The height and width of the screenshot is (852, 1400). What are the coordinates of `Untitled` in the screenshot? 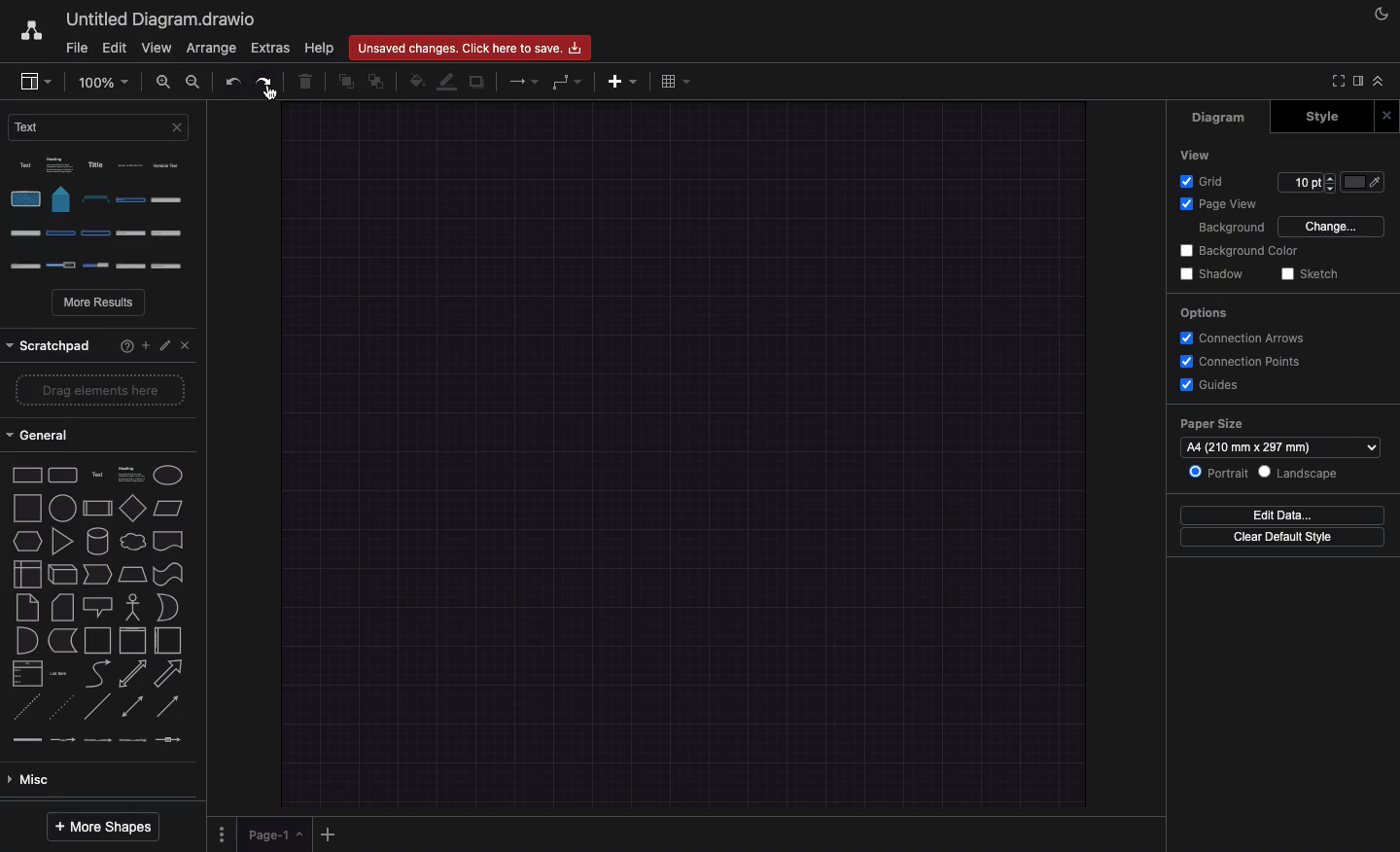 It's located at (157, 20).